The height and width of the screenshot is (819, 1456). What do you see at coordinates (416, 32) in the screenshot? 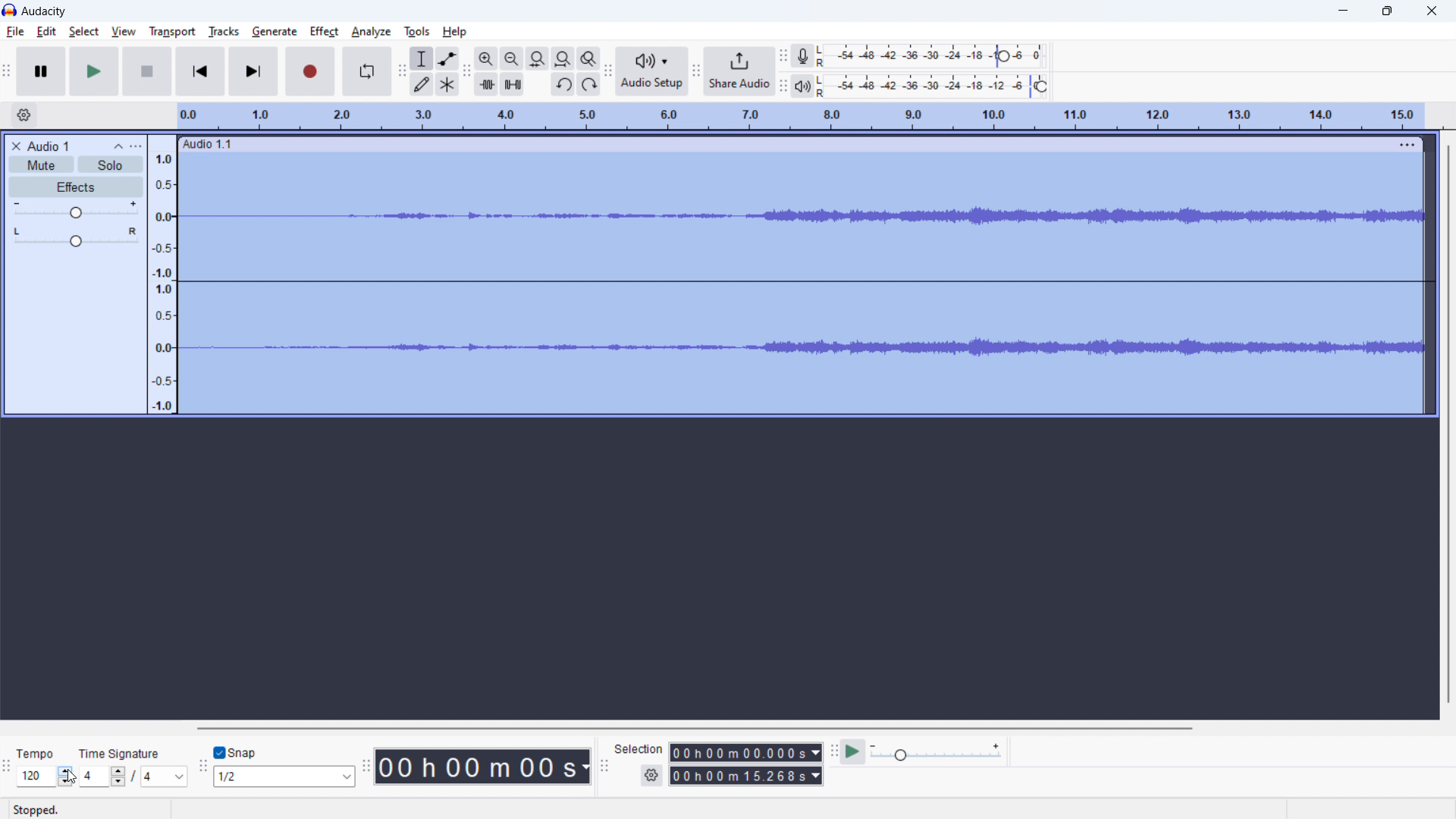
I see `tools` at bounding box center [416, 32].